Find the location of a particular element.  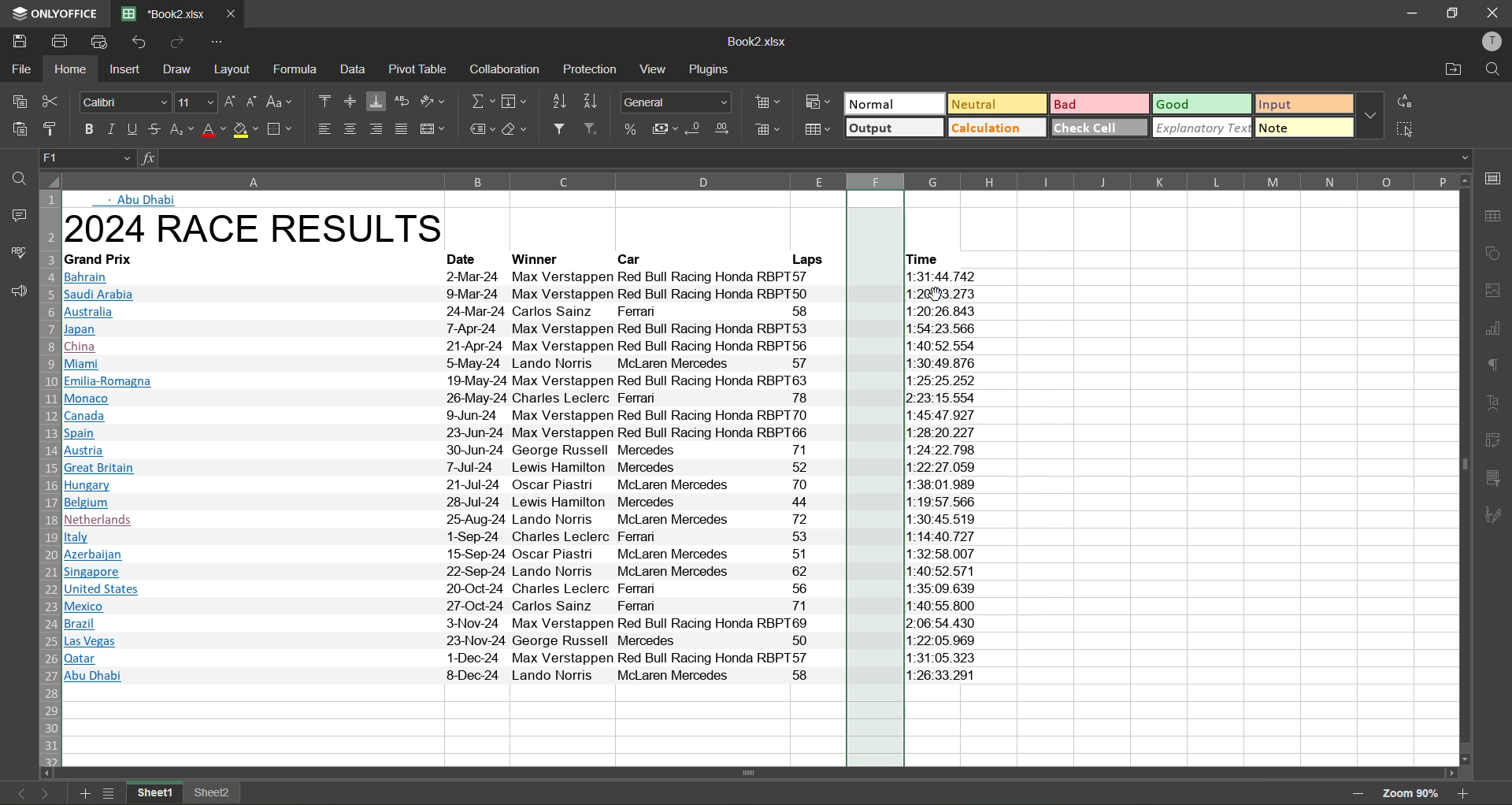

11:30:45.519 is located at coordinates (941, 519).